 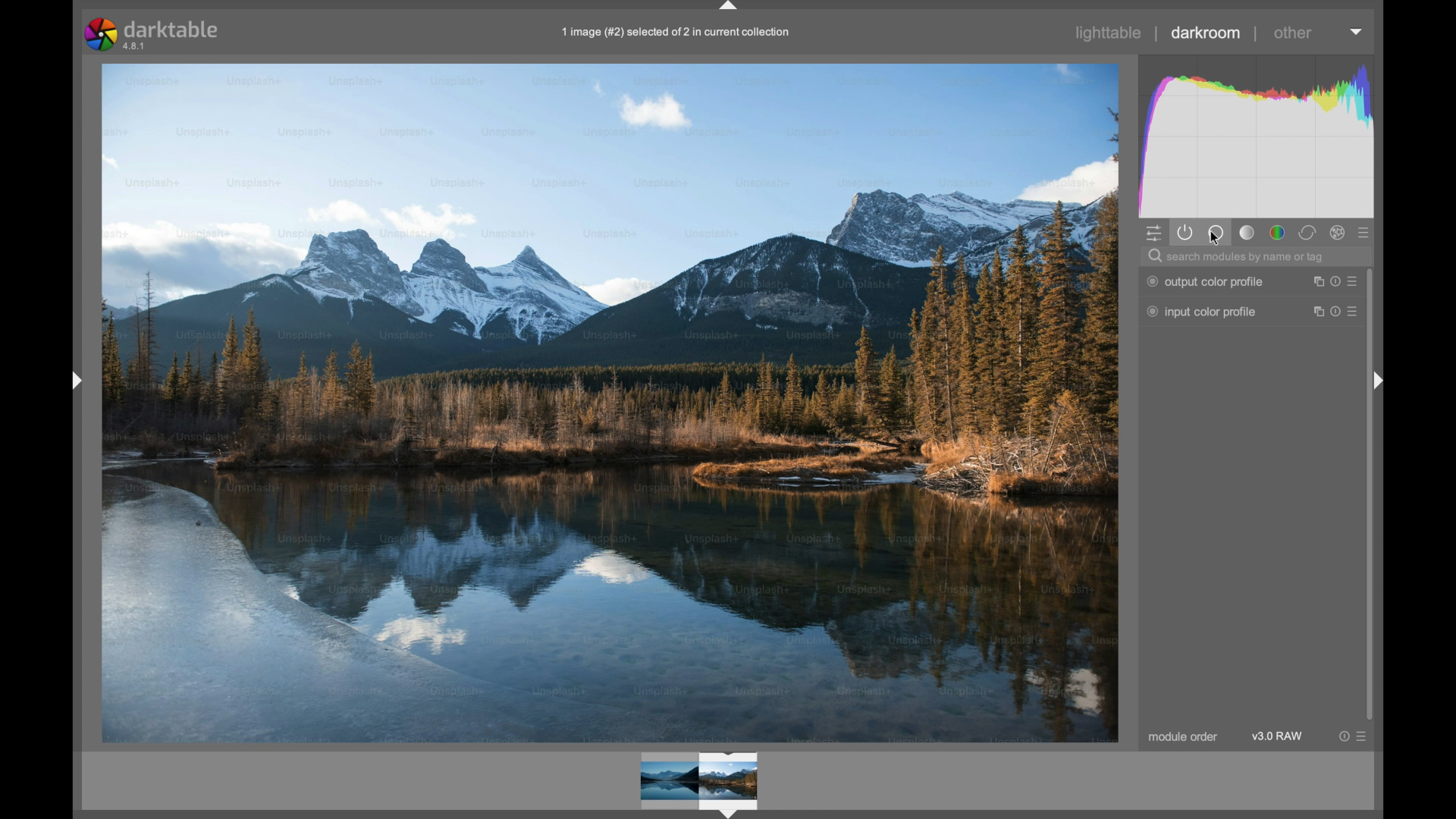 I want to click on tone, so click(x=1247, y=232).